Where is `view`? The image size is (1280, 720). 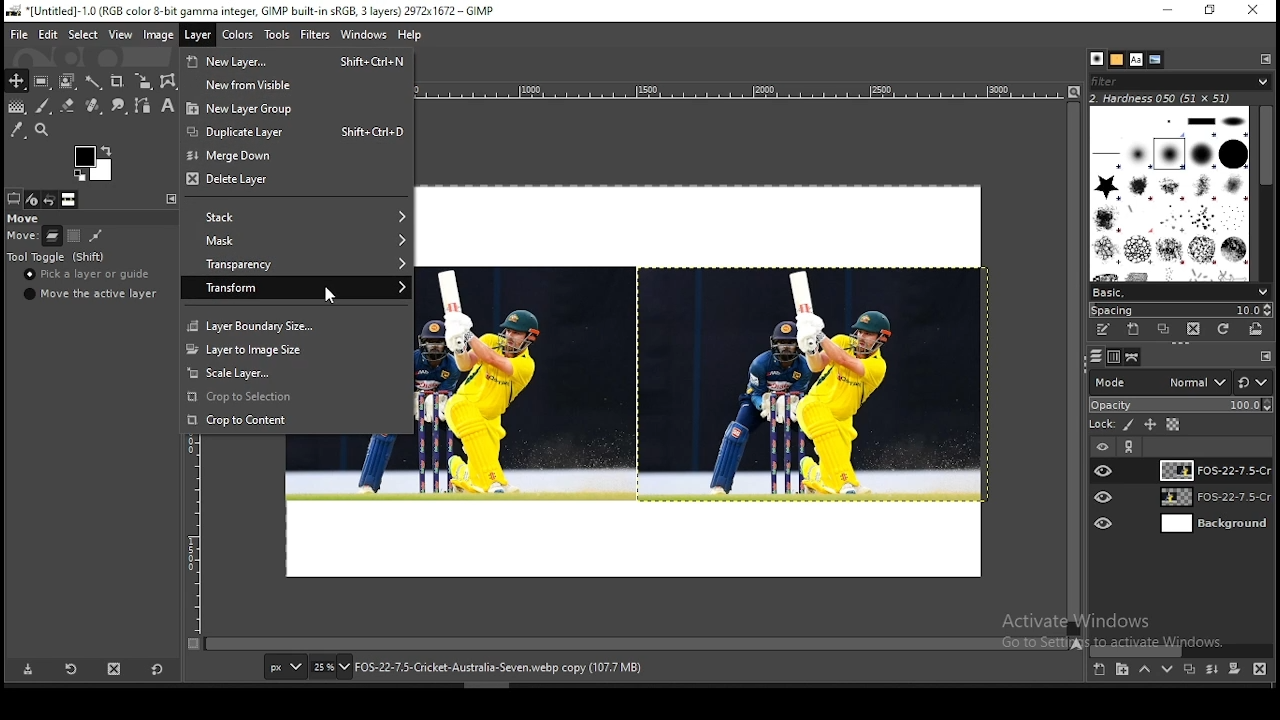 view is located at coordinates (119, 34).